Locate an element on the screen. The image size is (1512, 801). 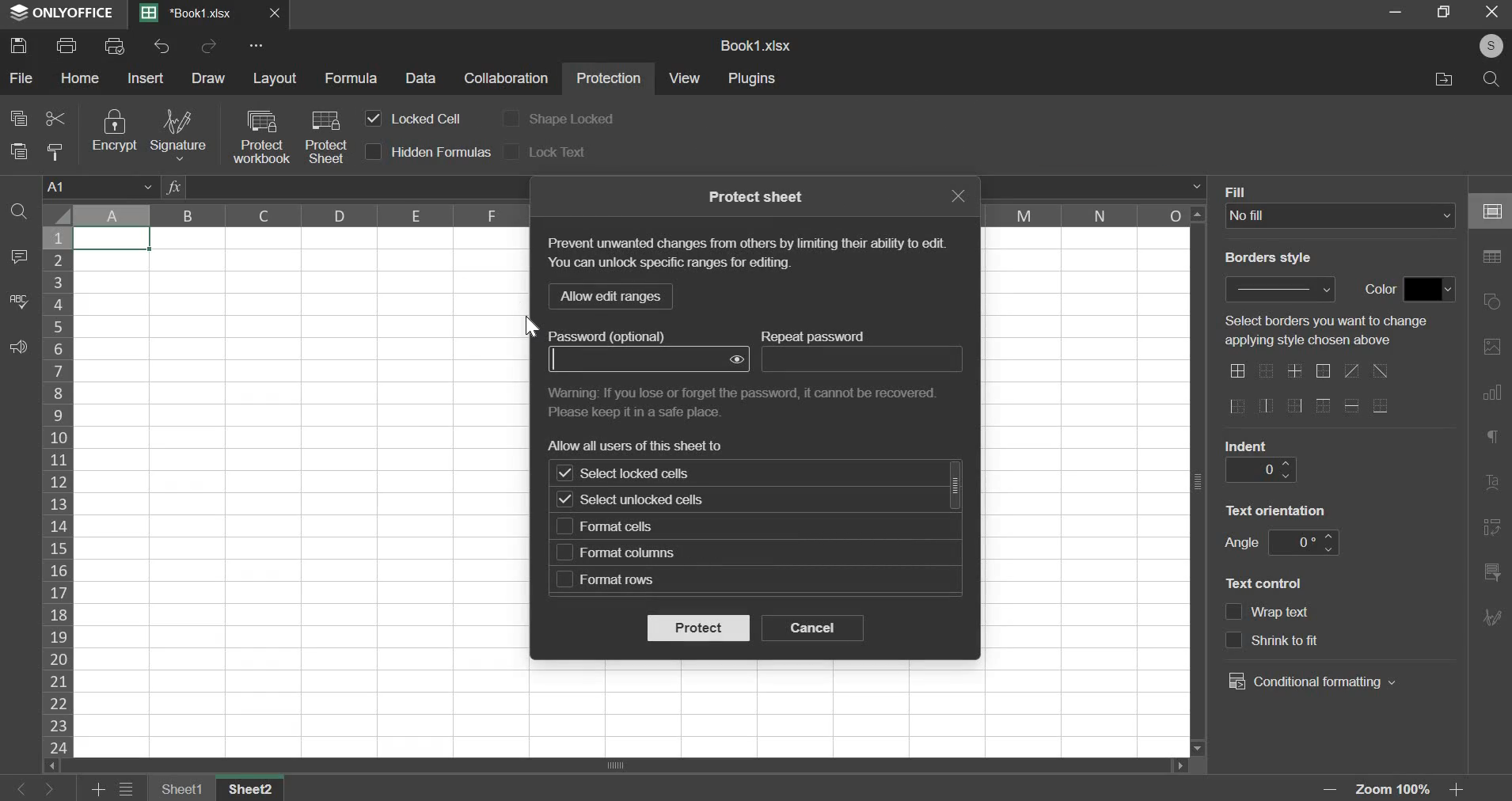
border options is located at coordinates (1293, 408).